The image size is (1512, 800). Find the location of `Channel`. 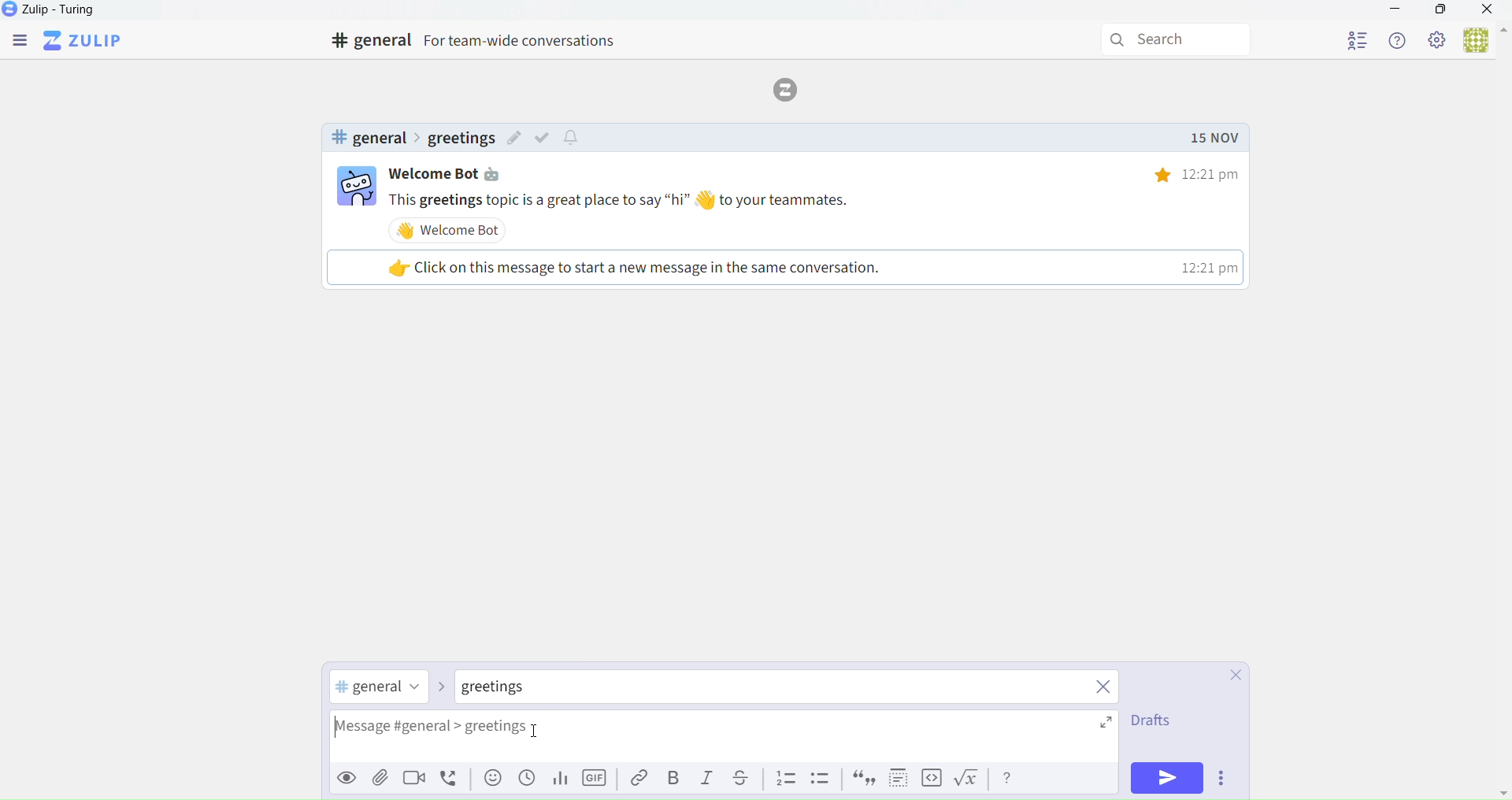

Channel is located at coordinates (380, 688).